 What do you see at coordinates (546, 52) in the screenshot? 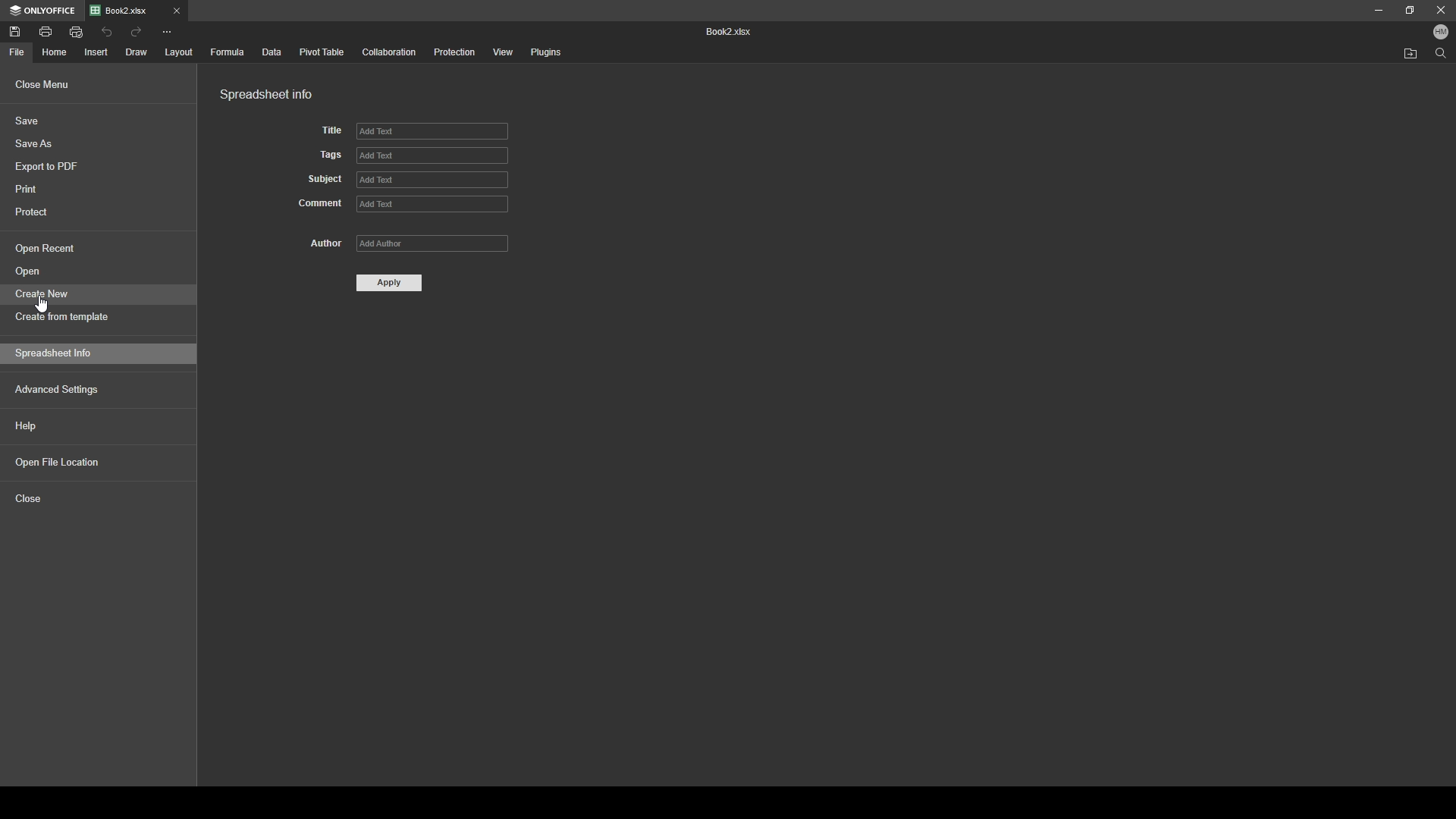
I see `plugins` at bounding box center [546, 52].